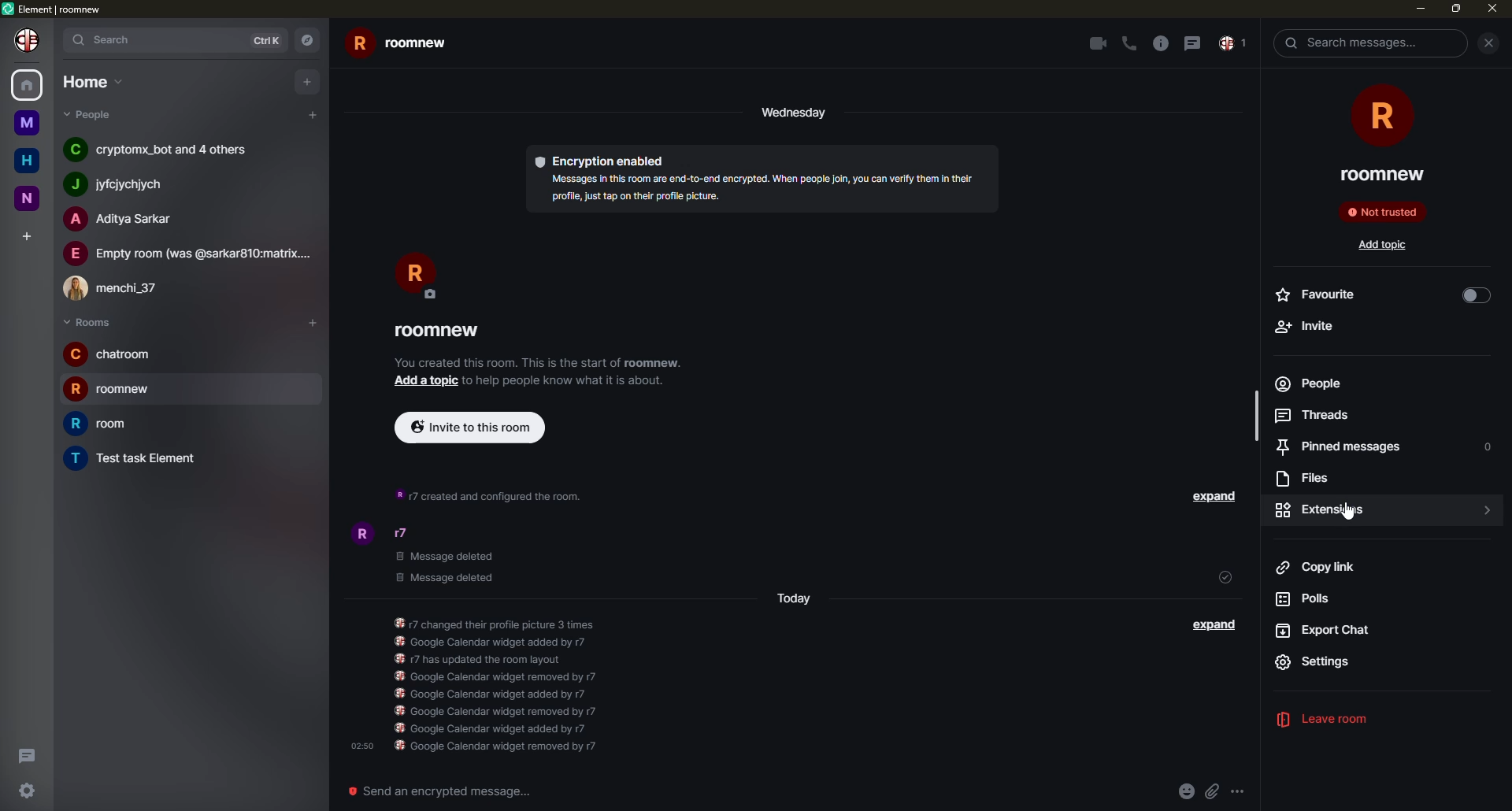  Describe the element at coordinates (267, 39) in the screenshot. I see `ctrlK` at that location.